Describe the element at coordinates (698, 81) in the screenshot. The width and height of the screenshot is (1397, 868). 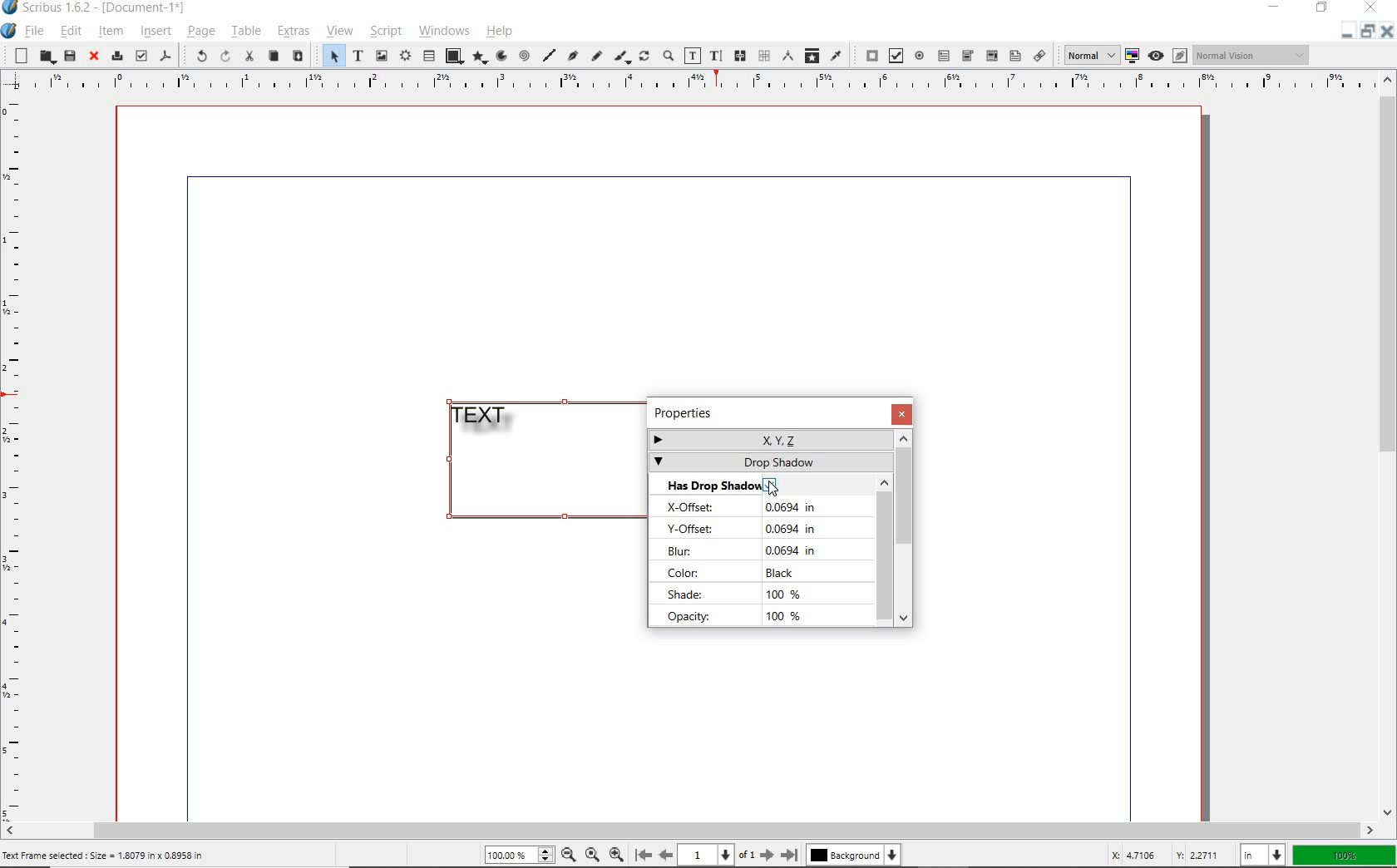
I see `Horizontal Margins` at that location.